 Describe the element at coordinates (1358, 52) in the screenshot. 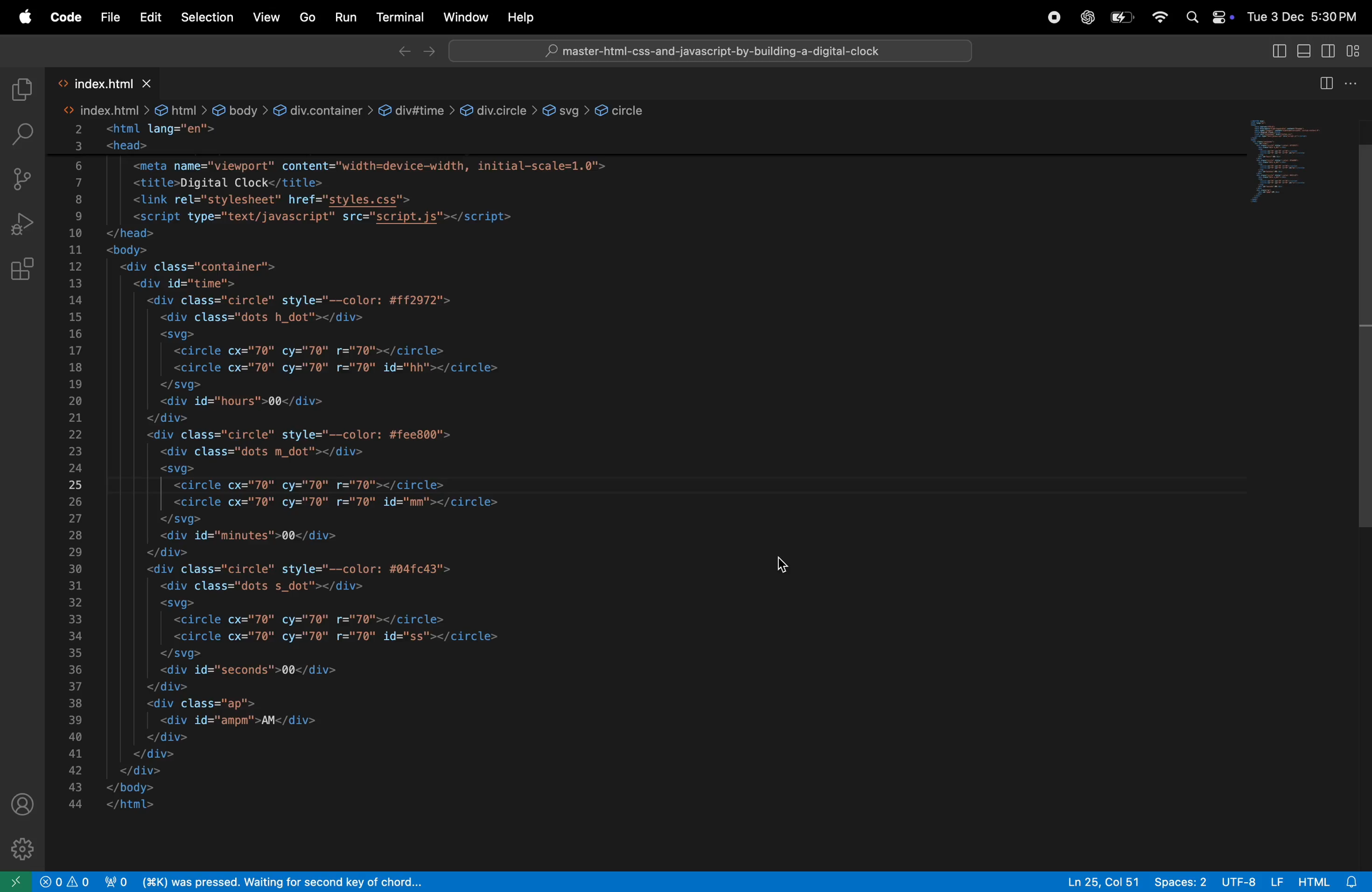

I see `customize layout` at that location.